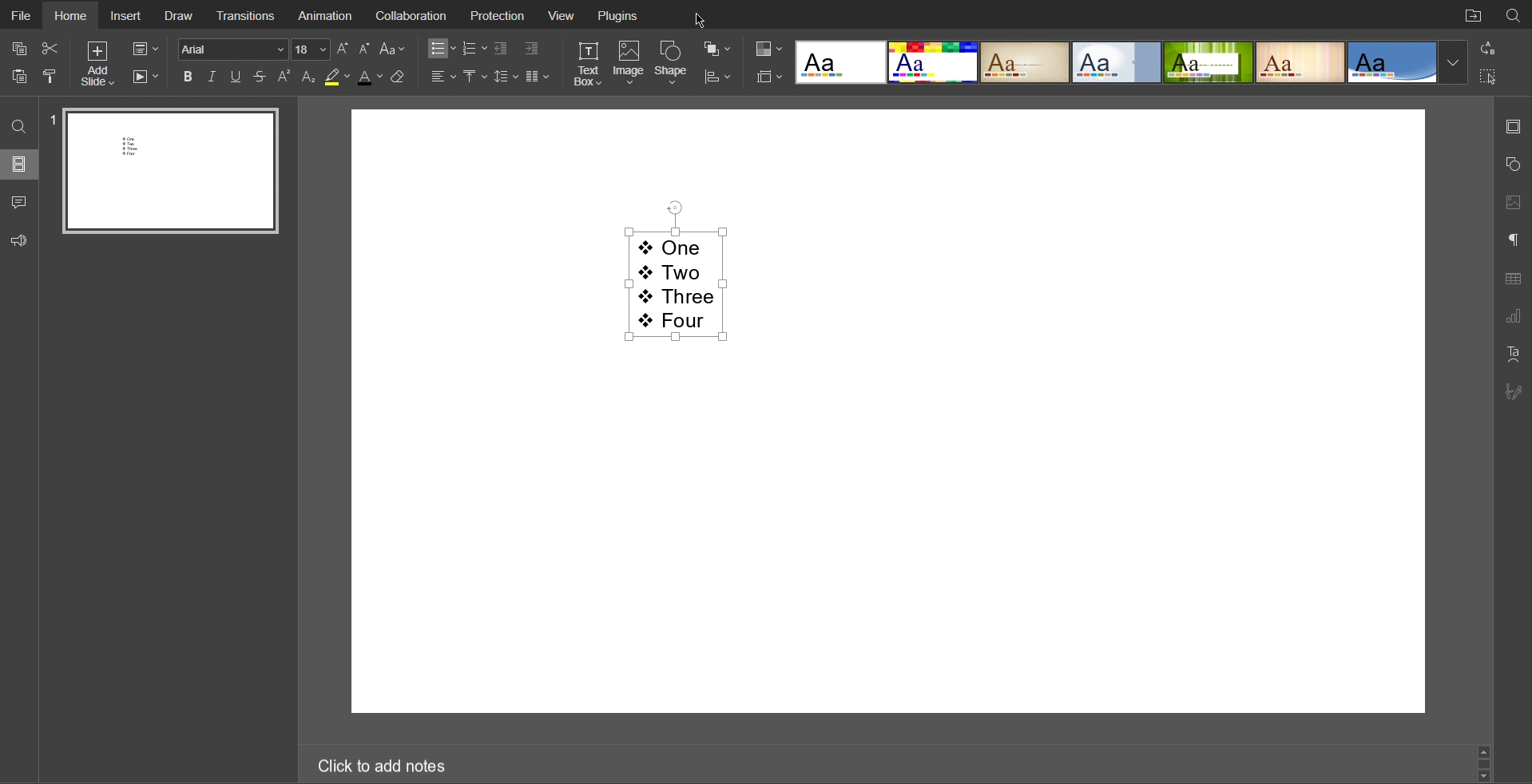  I want to click on Templates, so click(1130, 60).